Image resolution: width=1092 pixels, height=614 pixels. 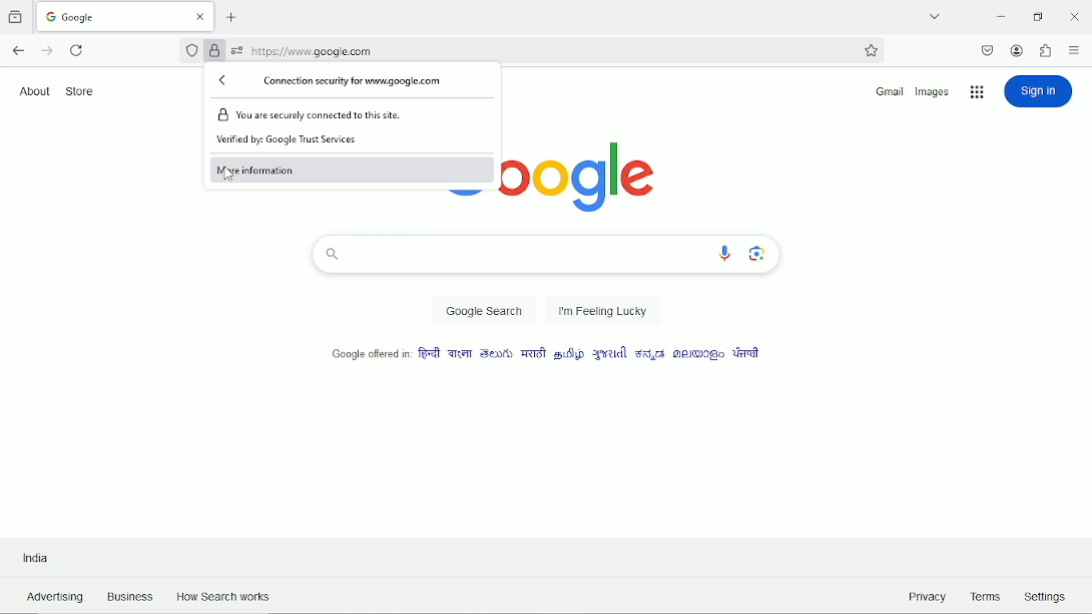 I want to click on Minimize, so click(x=997, y=15).